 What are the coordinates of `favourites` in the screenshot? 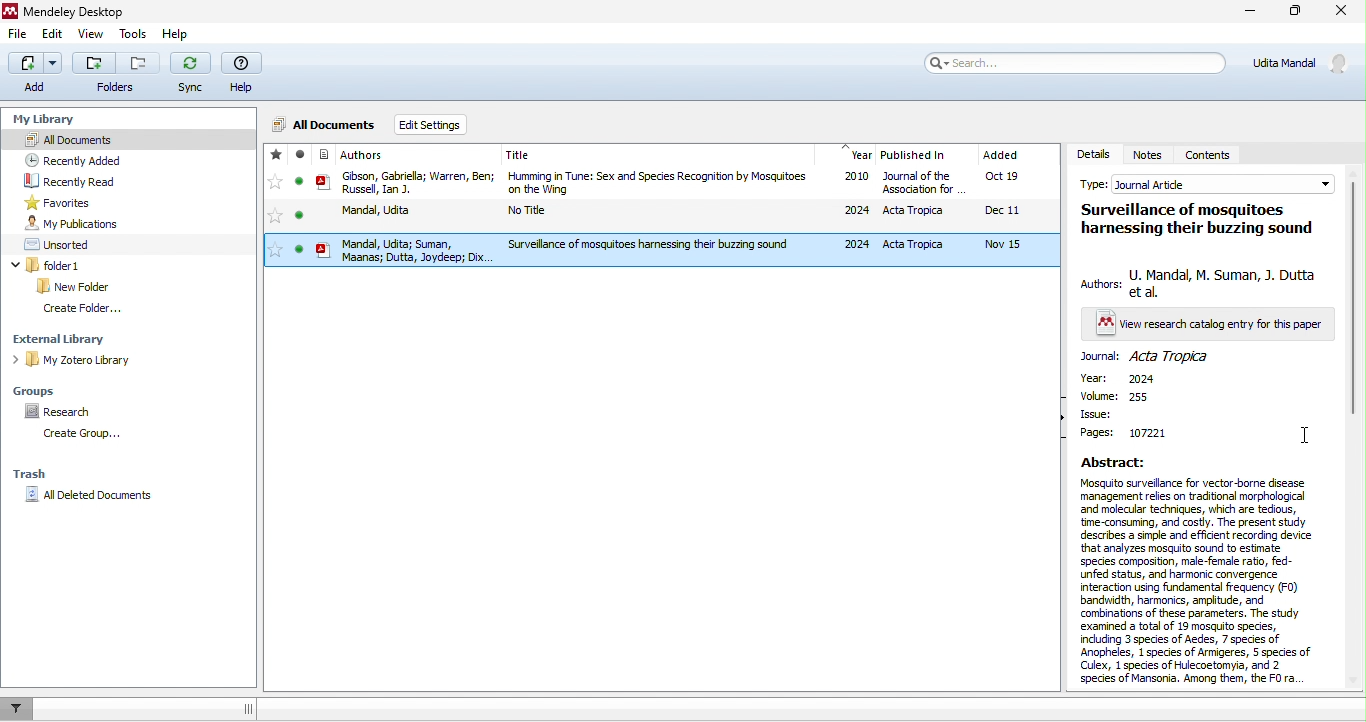 It's located at (275, 206).